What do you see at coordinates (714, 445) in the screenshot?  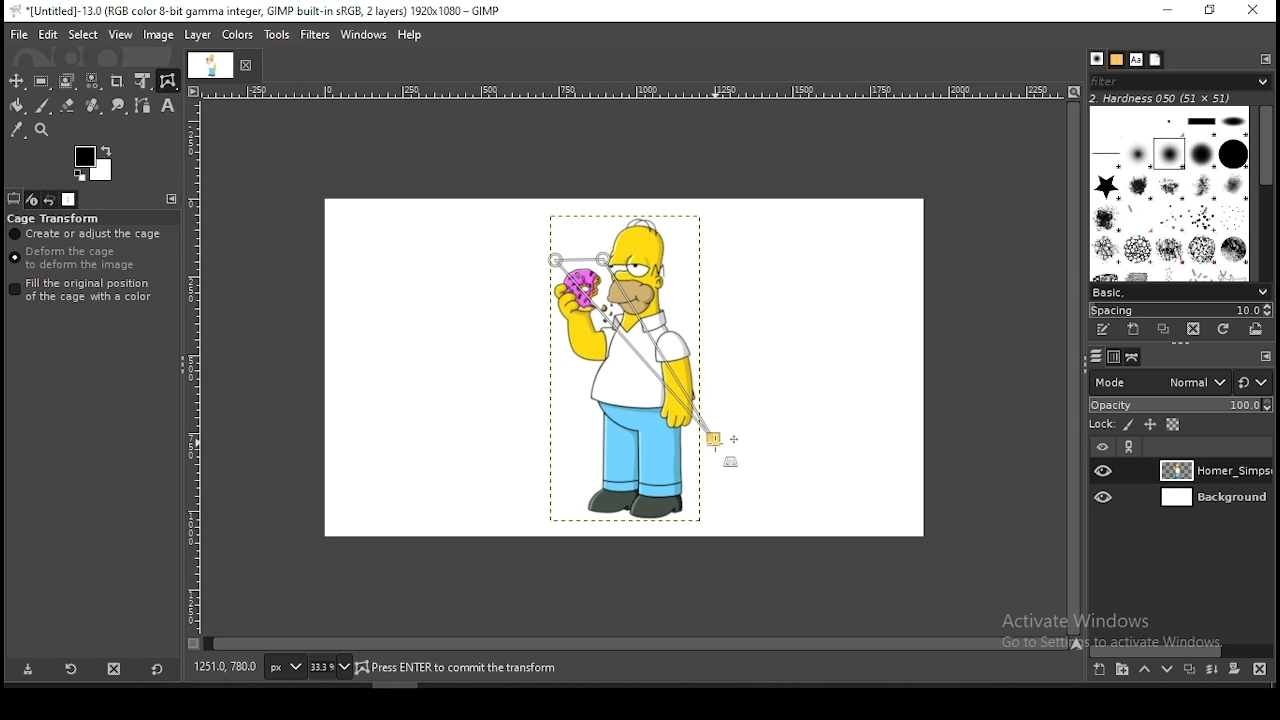 I see `mouse pointer` at bounding box center [714, 445].